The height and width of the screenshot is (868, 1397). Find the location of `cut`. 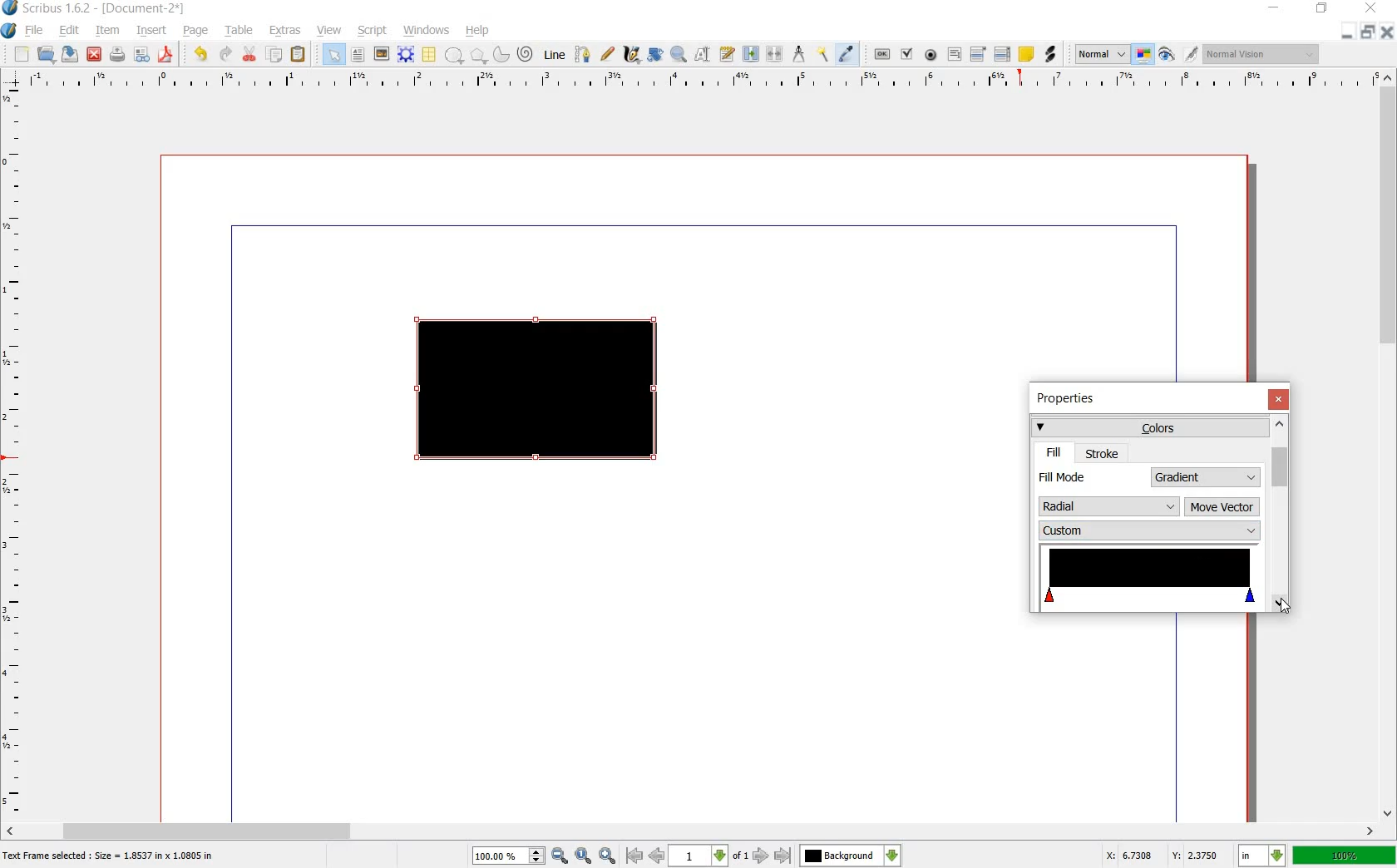

cut is located at coordinates (250, 55).